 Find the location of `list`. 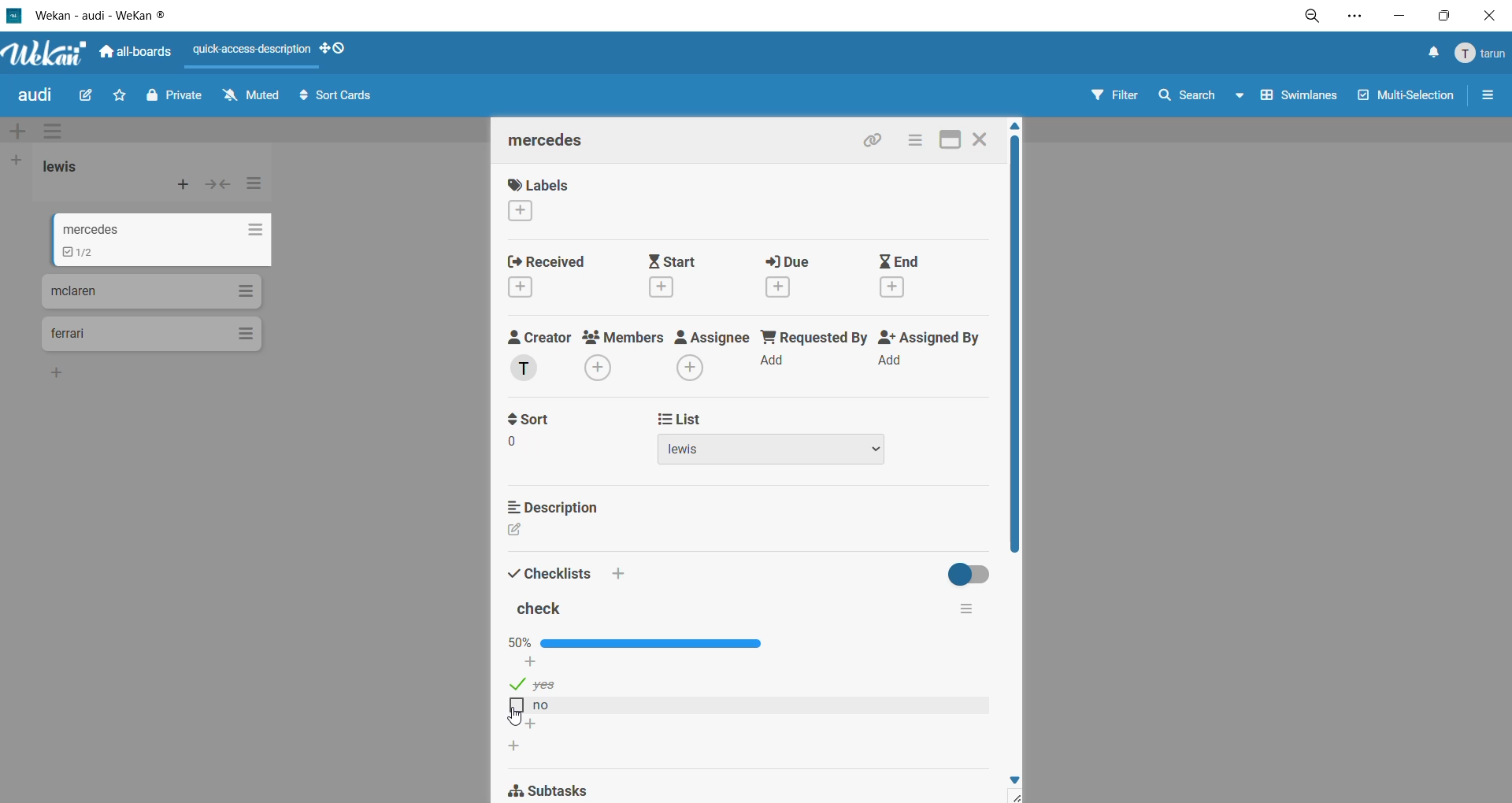

list is located at coordinates (780, 439).